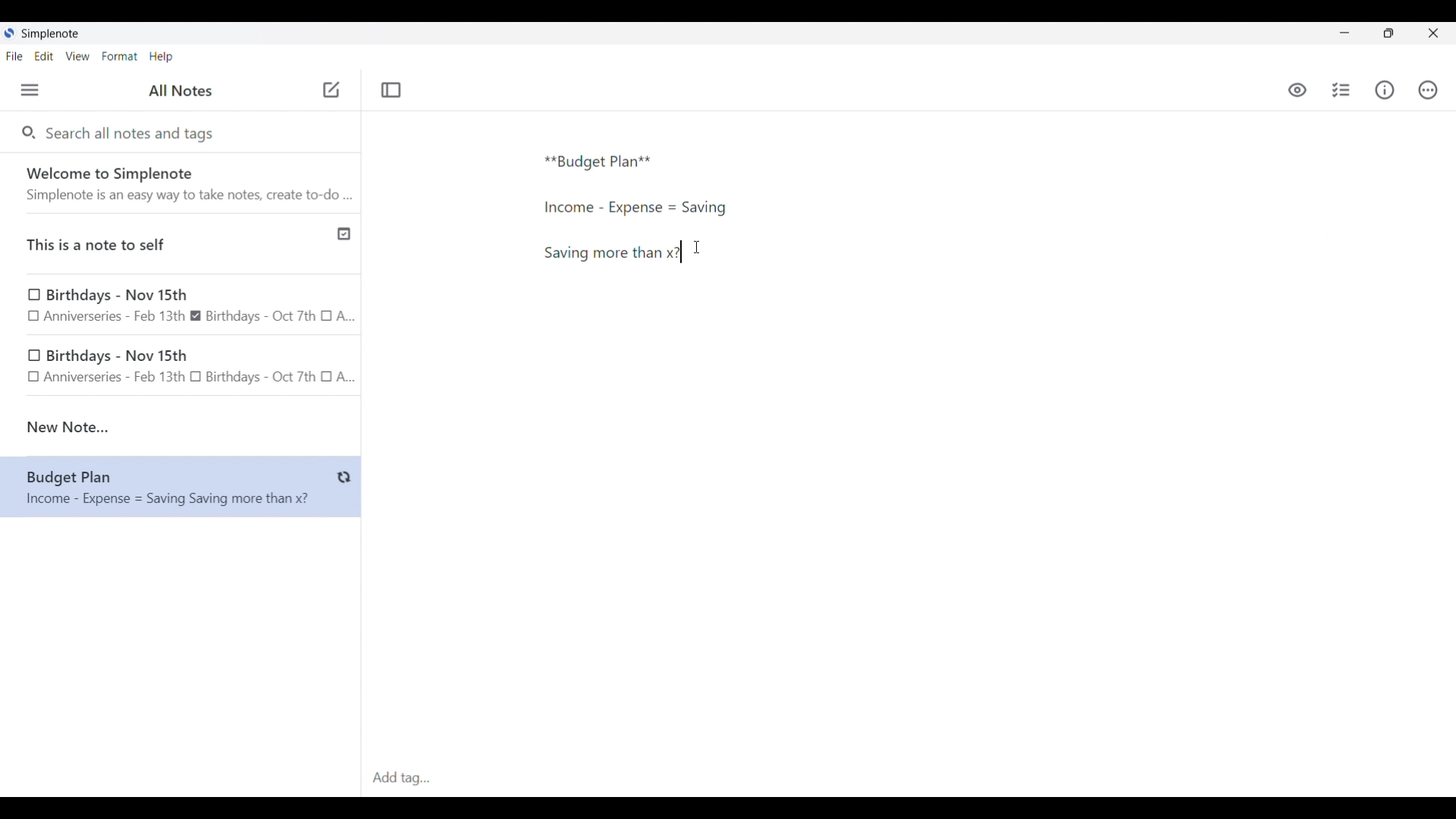 This screenshot has height=819, width=1456. What do you see at coordinates (14, 55) in the screenshot?
I see `File menu` at bounding box center [14, 55].